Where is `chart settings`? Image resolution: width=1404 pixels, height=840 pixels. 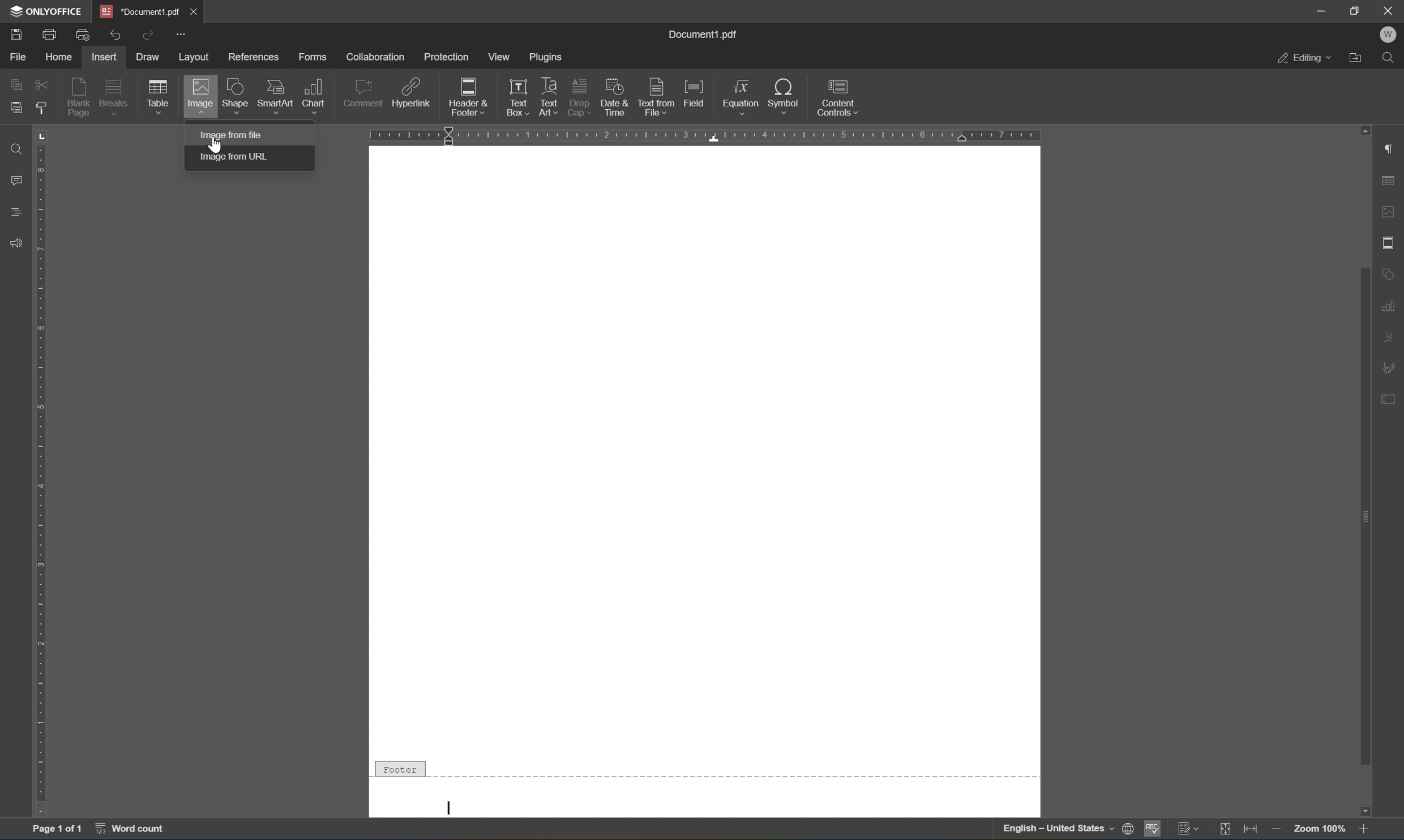 chart settings is located at coordinates (1389, 303).